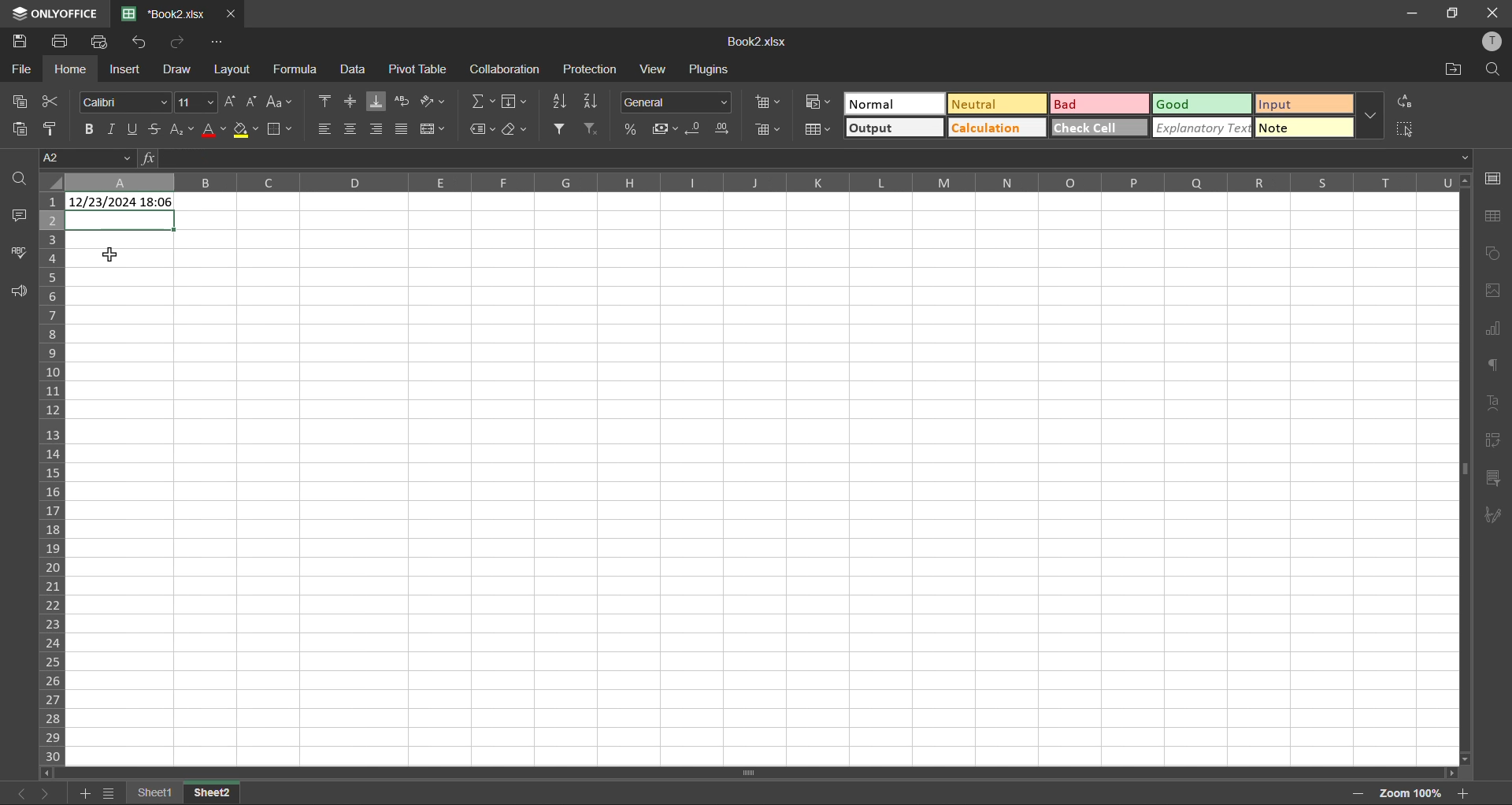 The height and width of the screenshot is (805, 1512). Describe the element at coordinates (214, 129) in the screenshot. I see `font color` at that location.